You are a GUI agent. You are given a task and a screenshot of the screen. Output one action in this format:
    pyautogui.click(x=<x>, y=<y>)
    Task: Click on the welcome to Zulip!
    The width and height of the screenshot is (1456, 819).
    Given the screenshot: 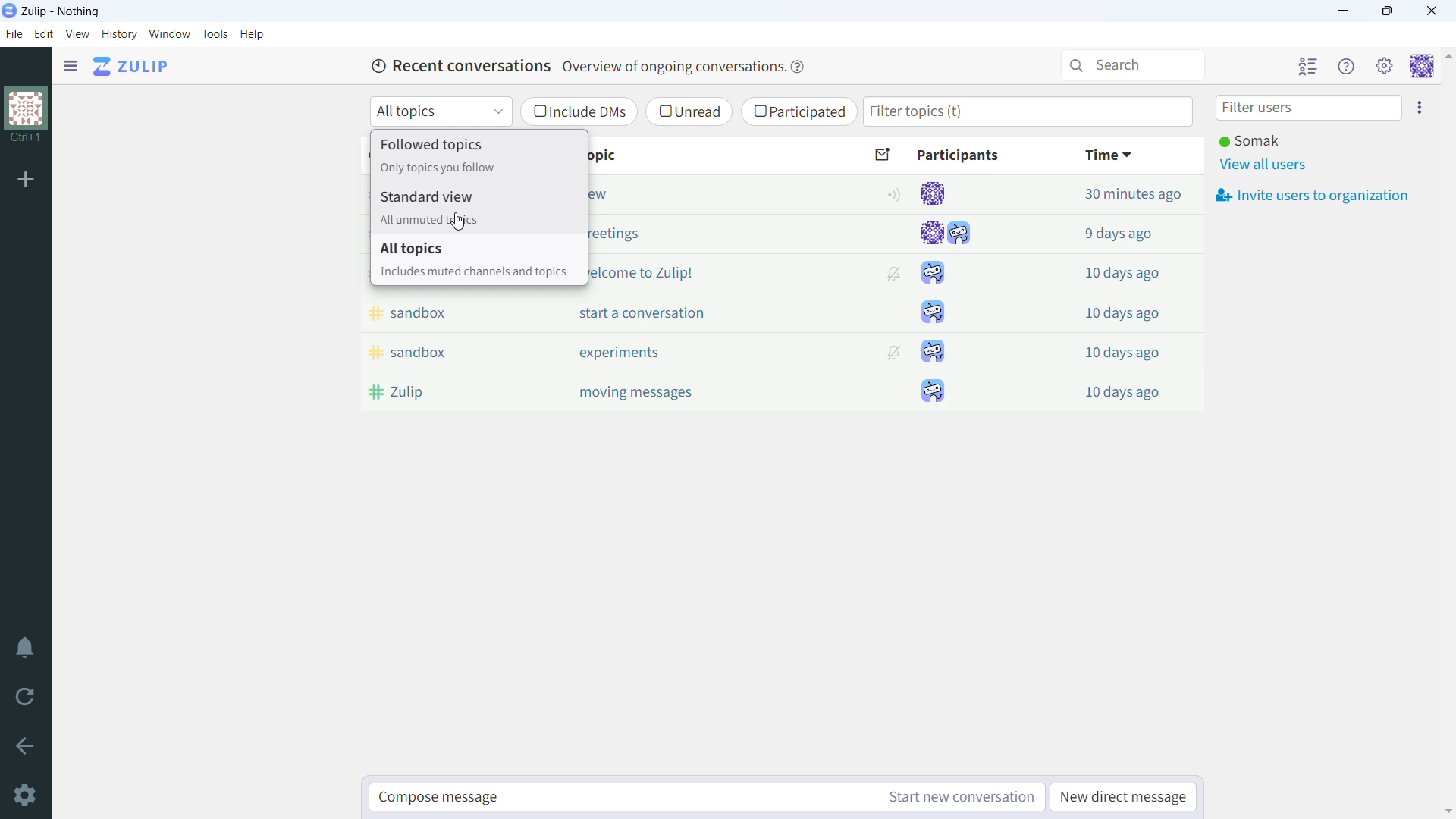 What is the action you would take?
    pyautogui.click(x=705, y=273)
    